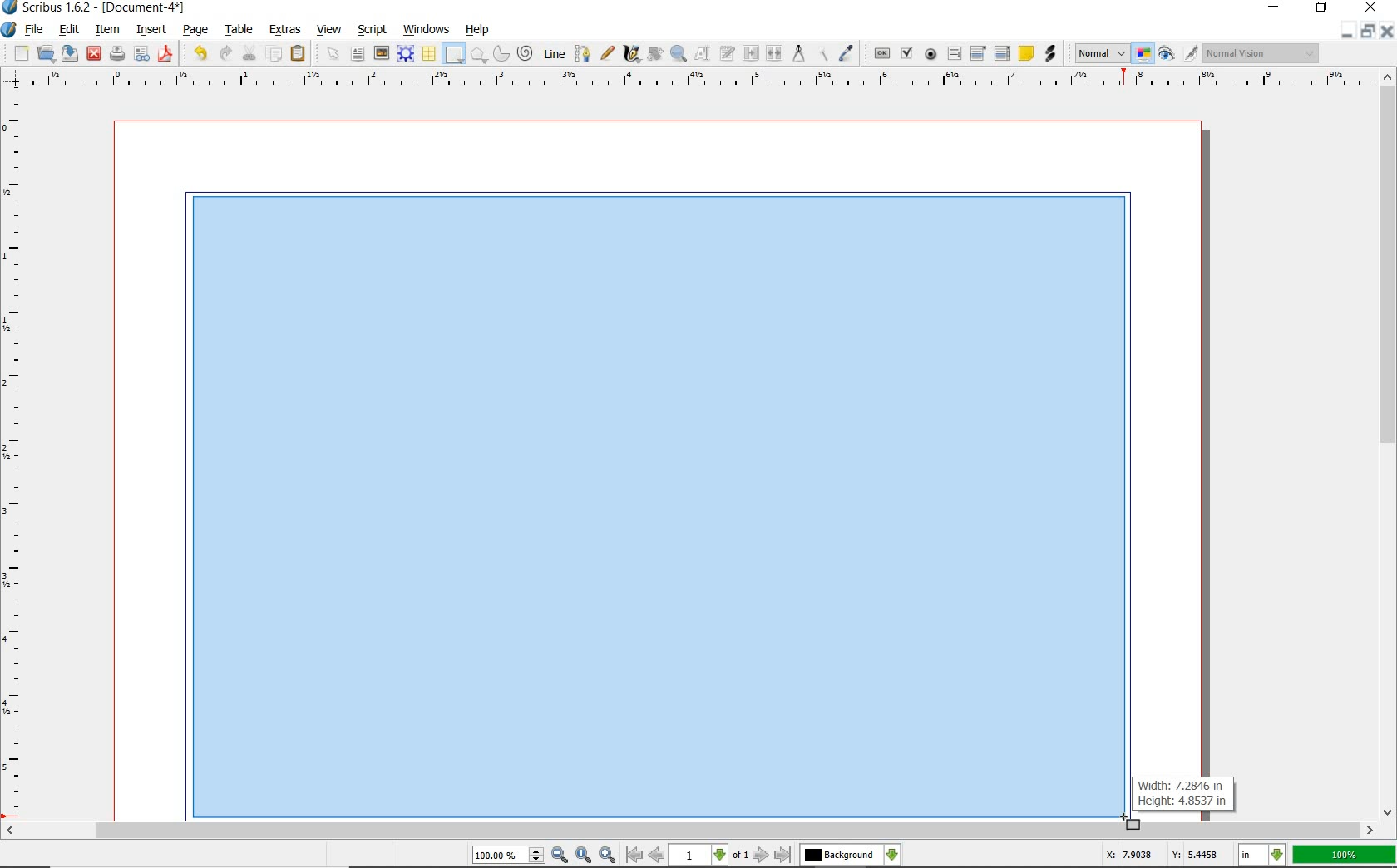  Describe the element at coordinates (879, 52) in the screenshot. I see `pdf push button` at that location.